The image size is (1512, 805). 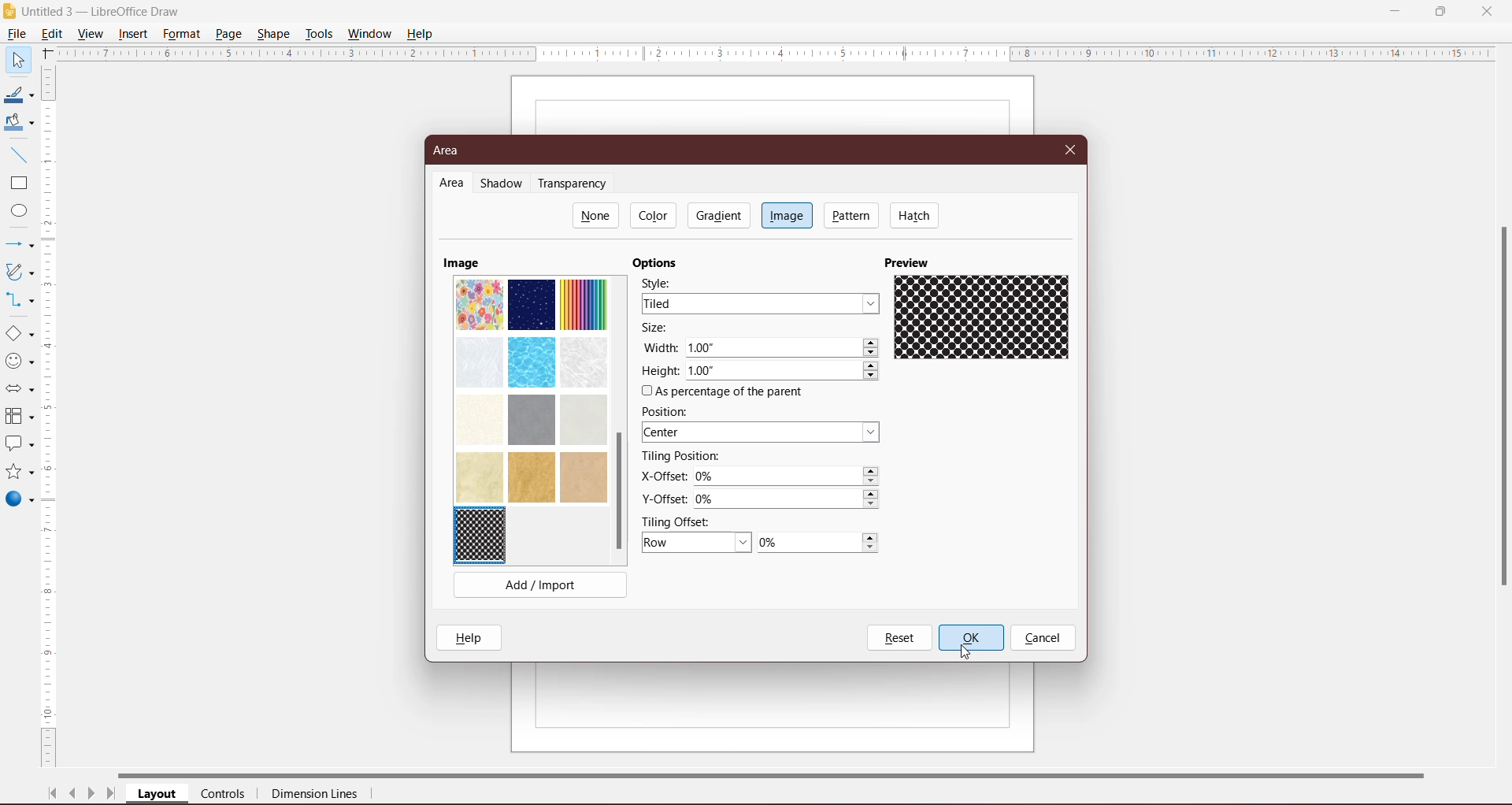 What do you see at coordinates (17, 154) in the screenshot?
I see `Insert Line` at bounding box center [17, 154].